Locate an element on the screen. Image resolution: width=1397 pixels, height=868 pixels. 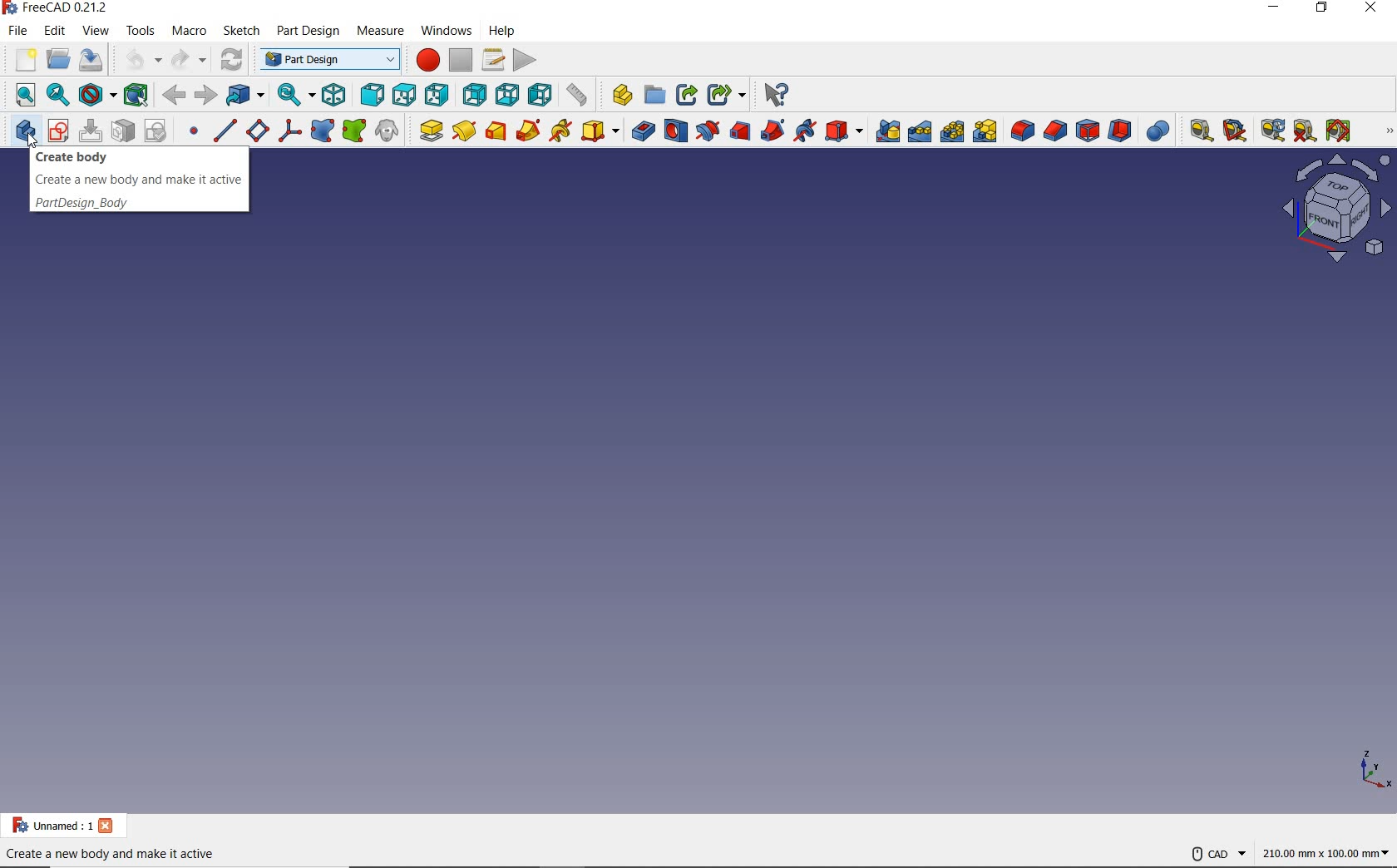
SUBTRACTIVE PIPE is located at coordinates (773, 131).